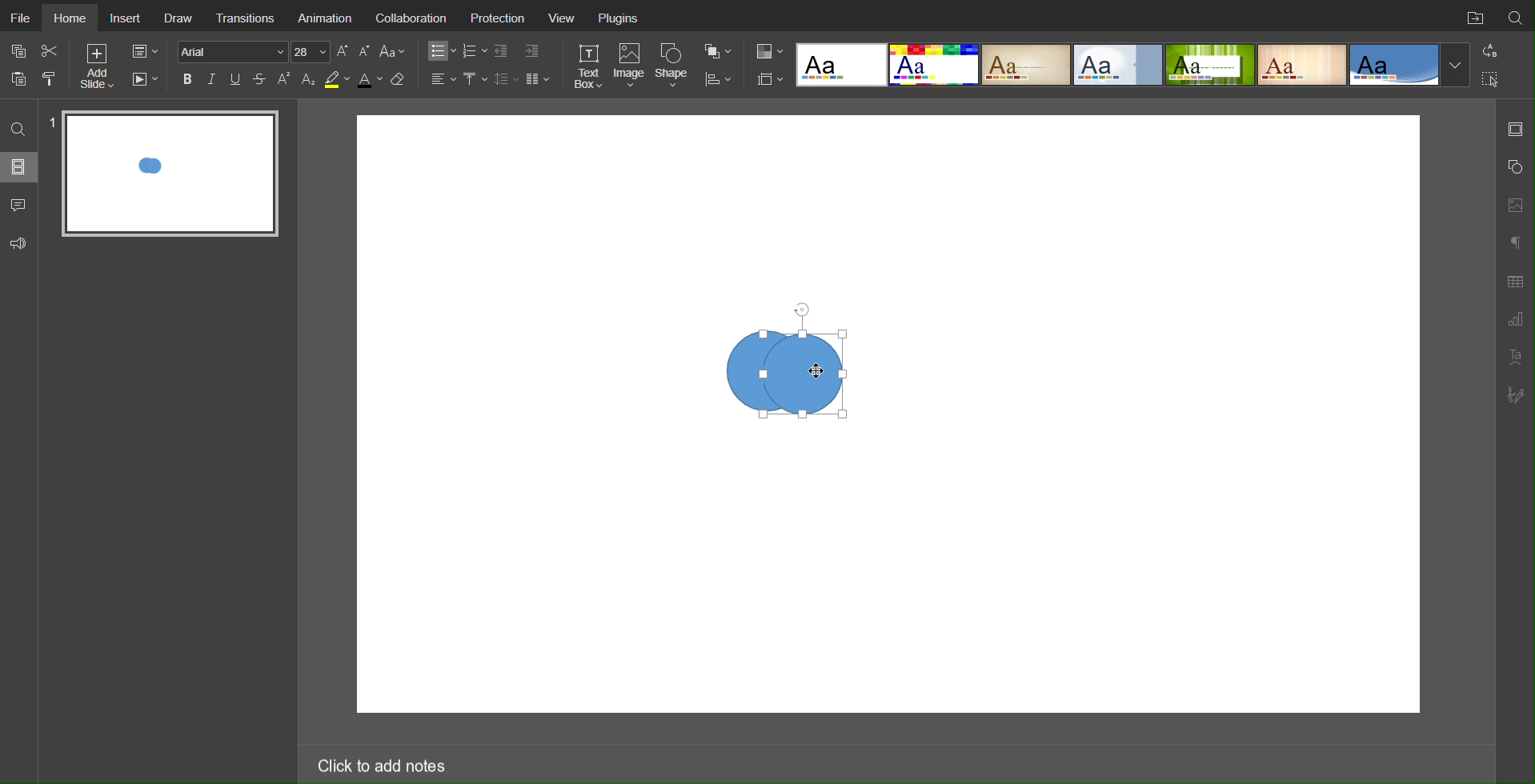 This screenshot has width=1535, height=784. What do you see at coordinates (353, 51) in the screenshot?
I see `Font Size` at bounding box center [353, 51].